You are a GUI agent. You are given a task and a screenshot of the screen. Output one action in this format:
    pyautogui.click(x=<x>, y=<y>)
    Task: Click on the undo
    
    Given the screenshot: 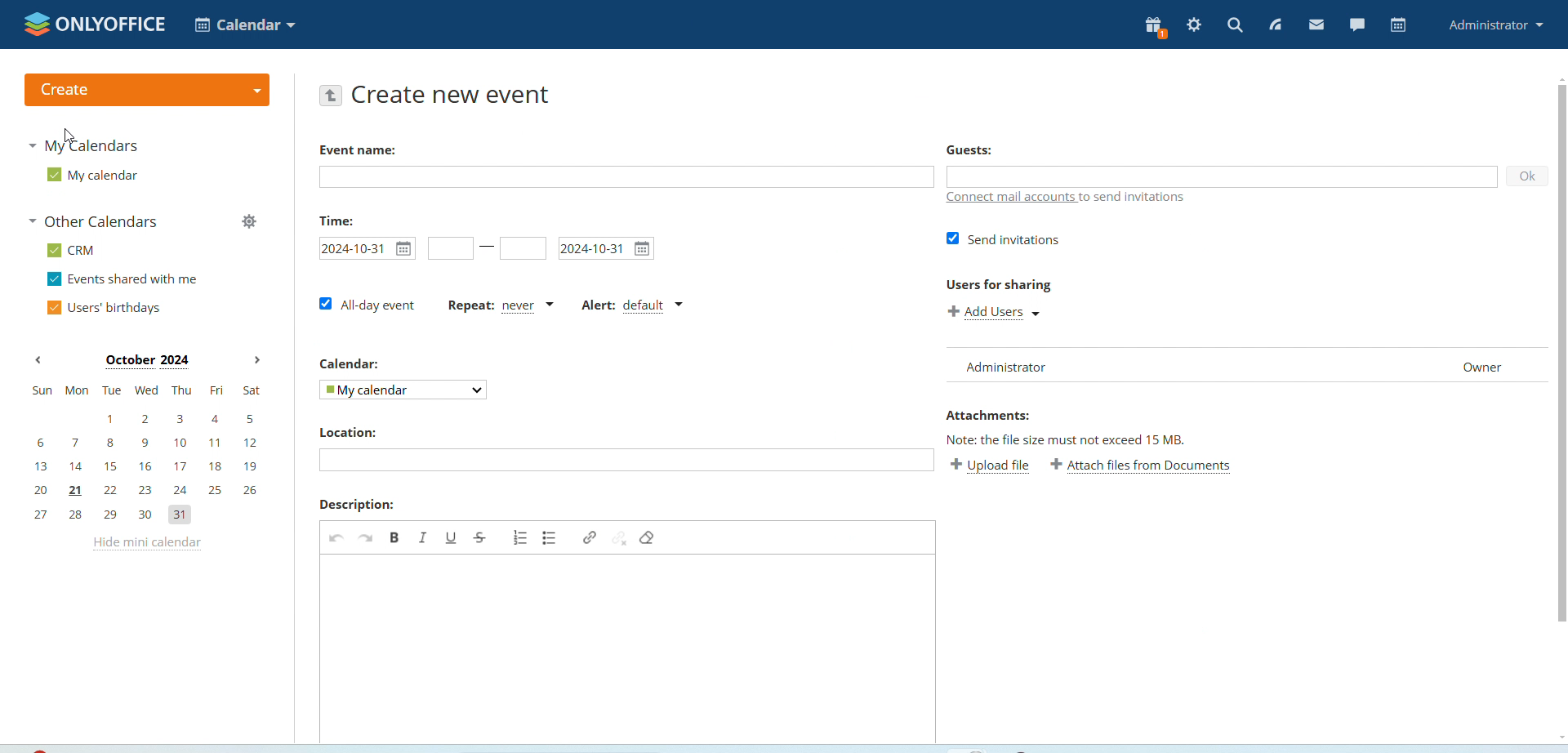 What is the action you would take?
    pyautogui.click(x=338, y=538)
    